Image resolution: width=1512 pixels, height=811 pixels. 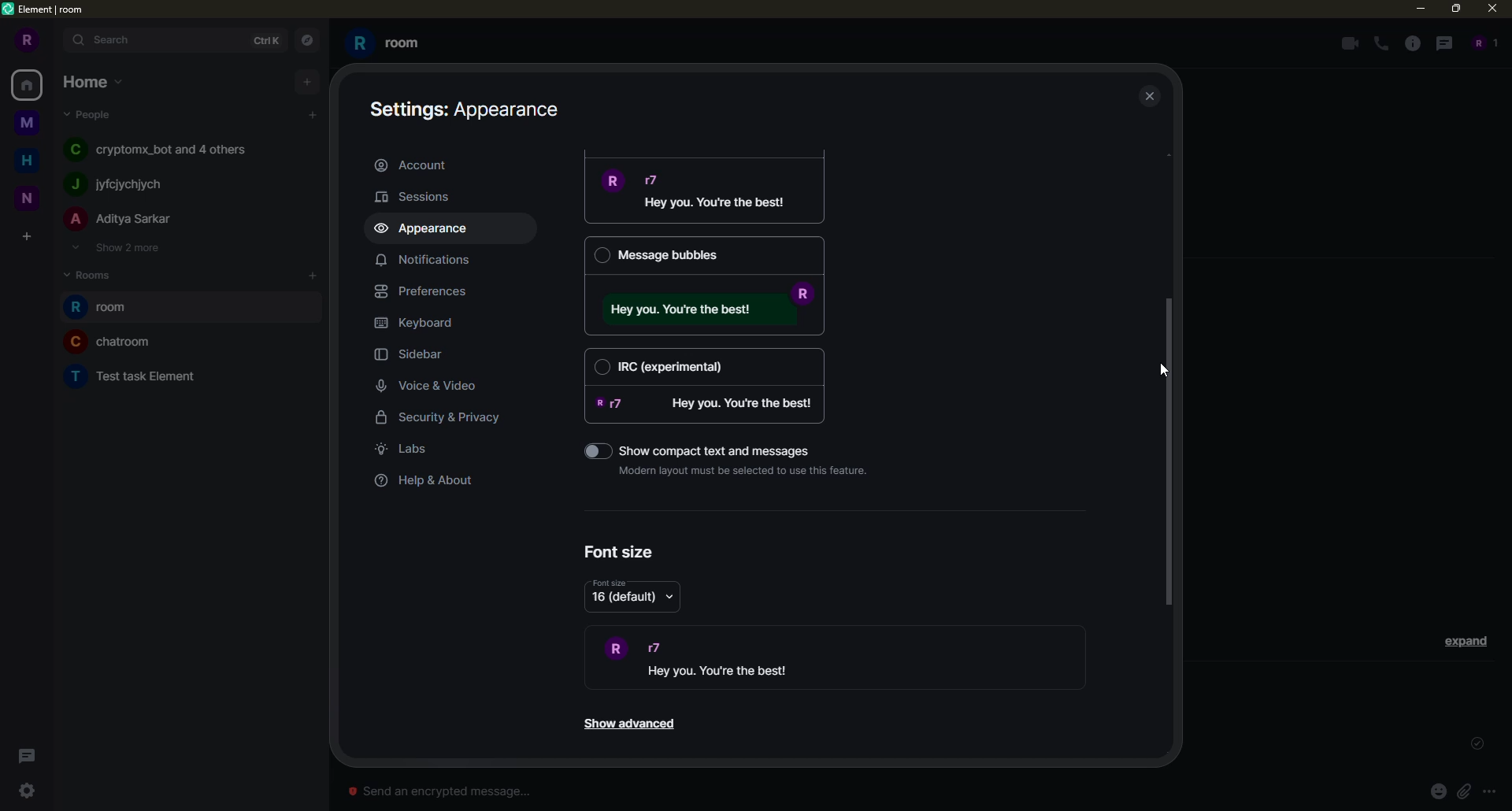 What do you see at coordinates (94, 80) in the screenshot?
I see `home` at bounding box center [94, 80].